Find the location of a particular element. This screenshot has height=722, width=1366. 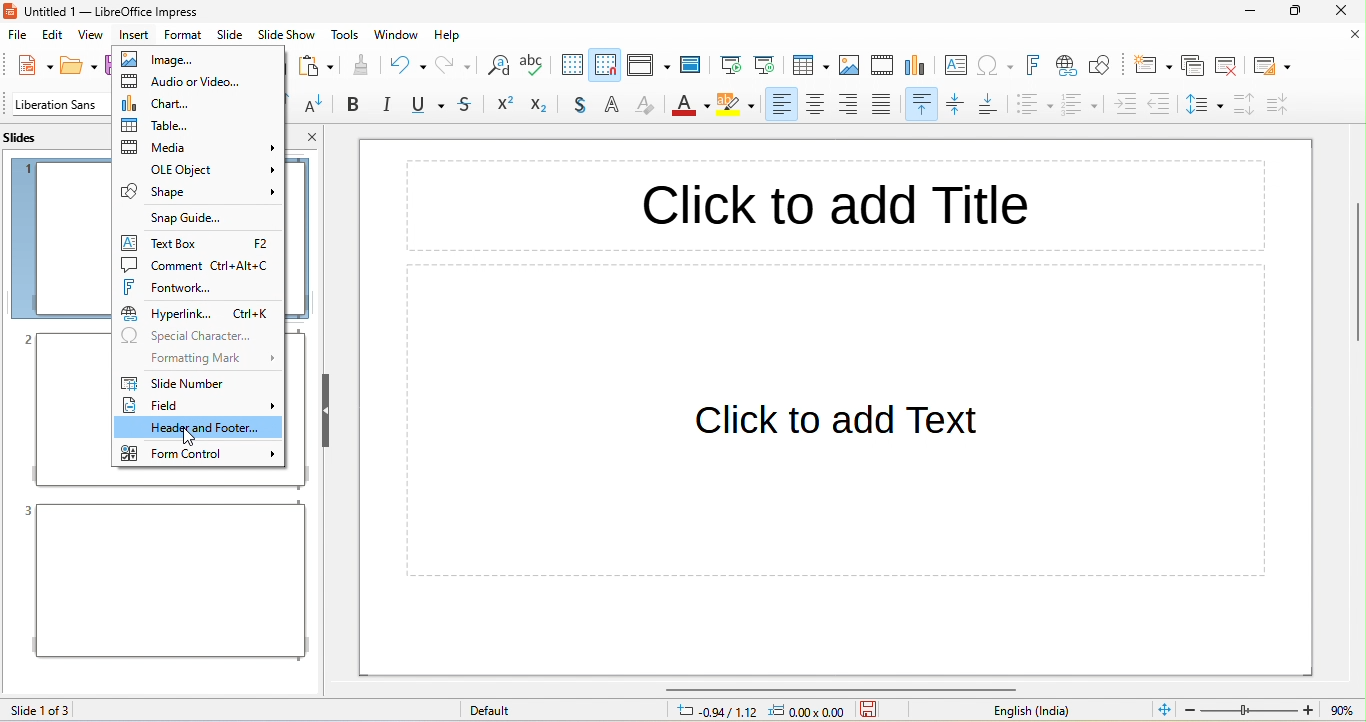

new is located at coordinates (29, 64).